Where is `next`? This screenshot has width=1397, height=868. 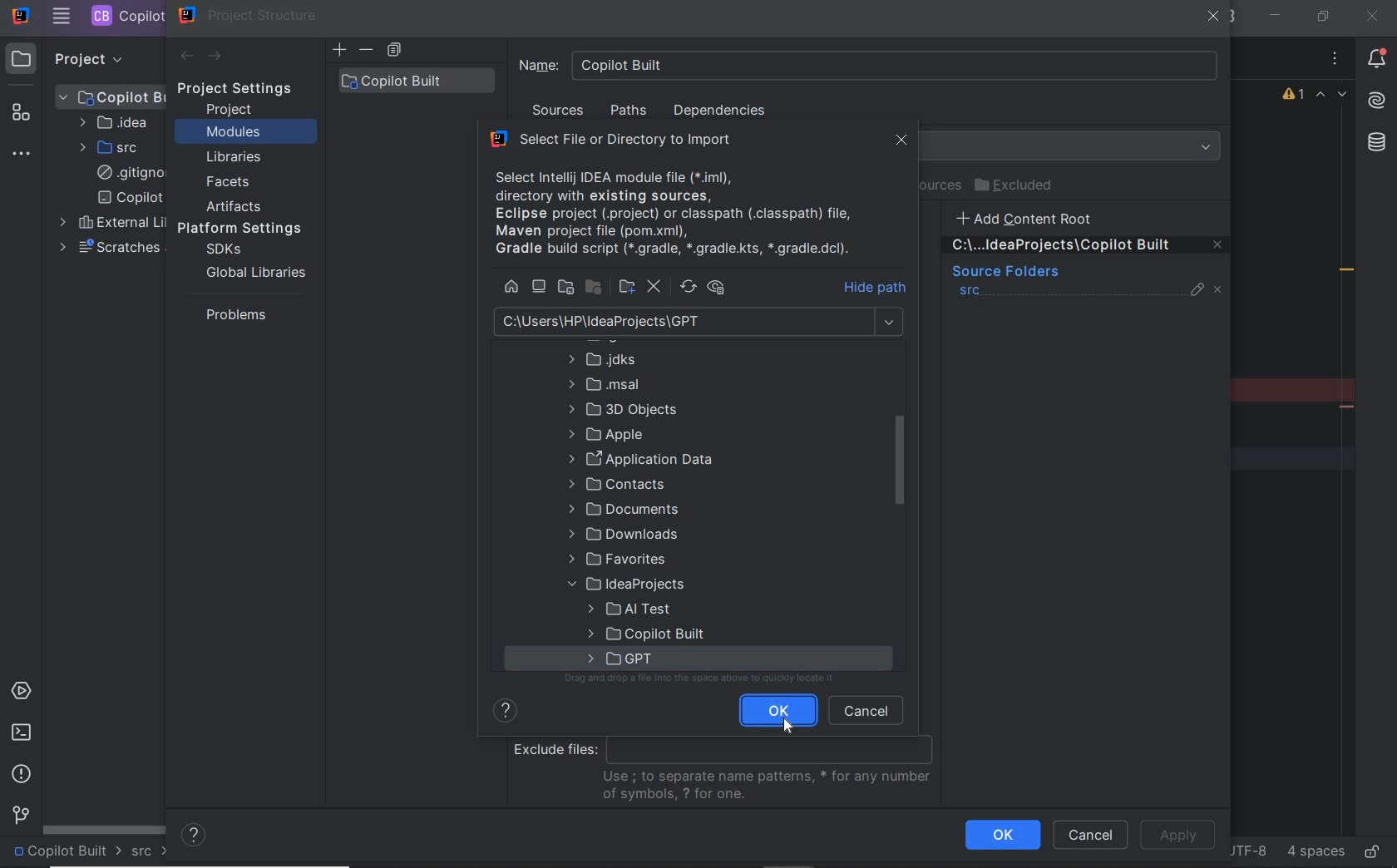 next is located at coordinates (216, 57).